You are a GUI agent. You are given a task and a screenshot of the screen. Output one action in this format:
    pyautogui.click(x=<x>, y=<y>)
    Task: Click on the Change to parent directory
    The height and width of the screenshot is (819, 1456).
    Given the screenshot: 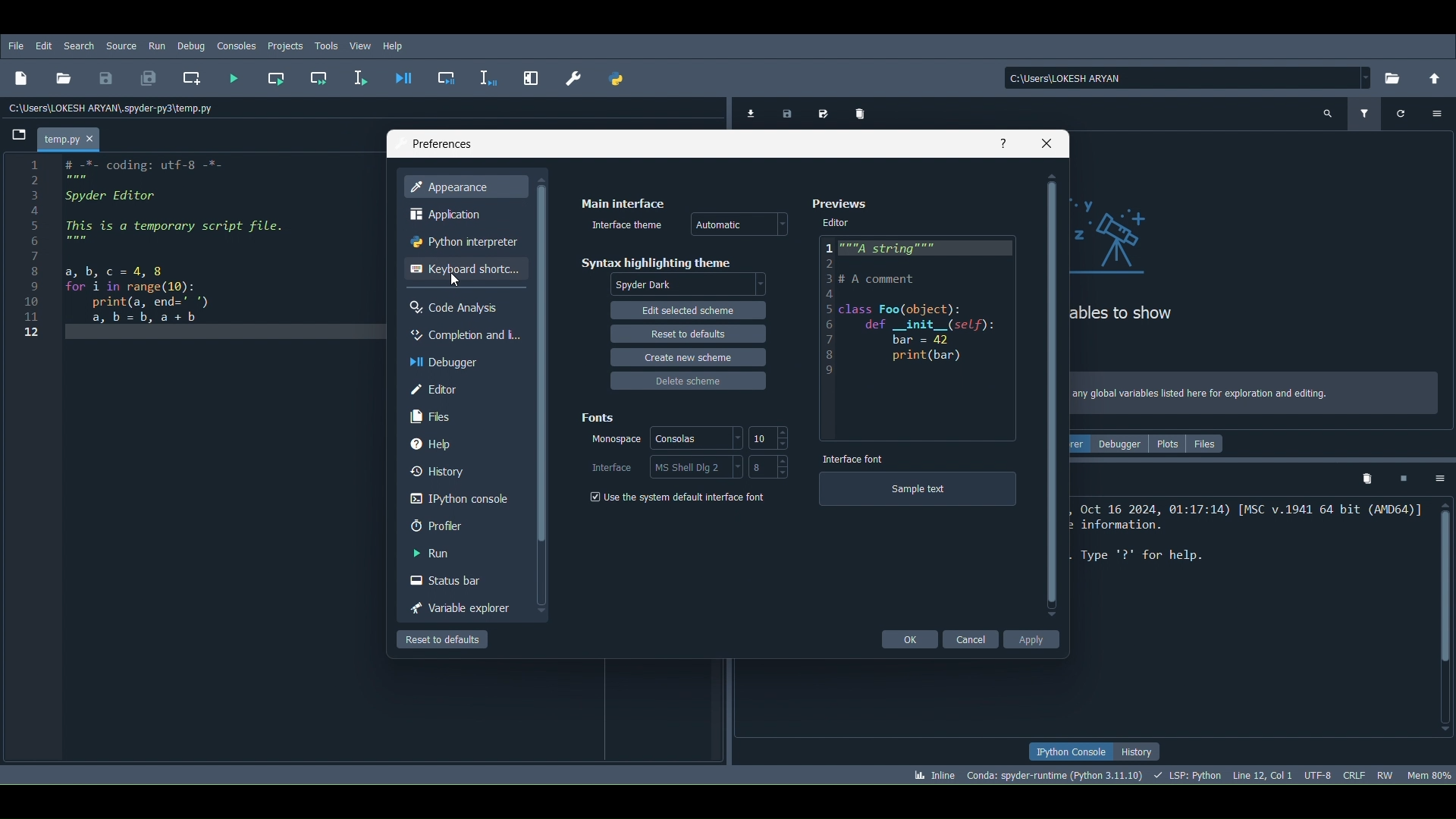 What is the action you would take?
    pyautogui.click(x=1429, y=79)
    